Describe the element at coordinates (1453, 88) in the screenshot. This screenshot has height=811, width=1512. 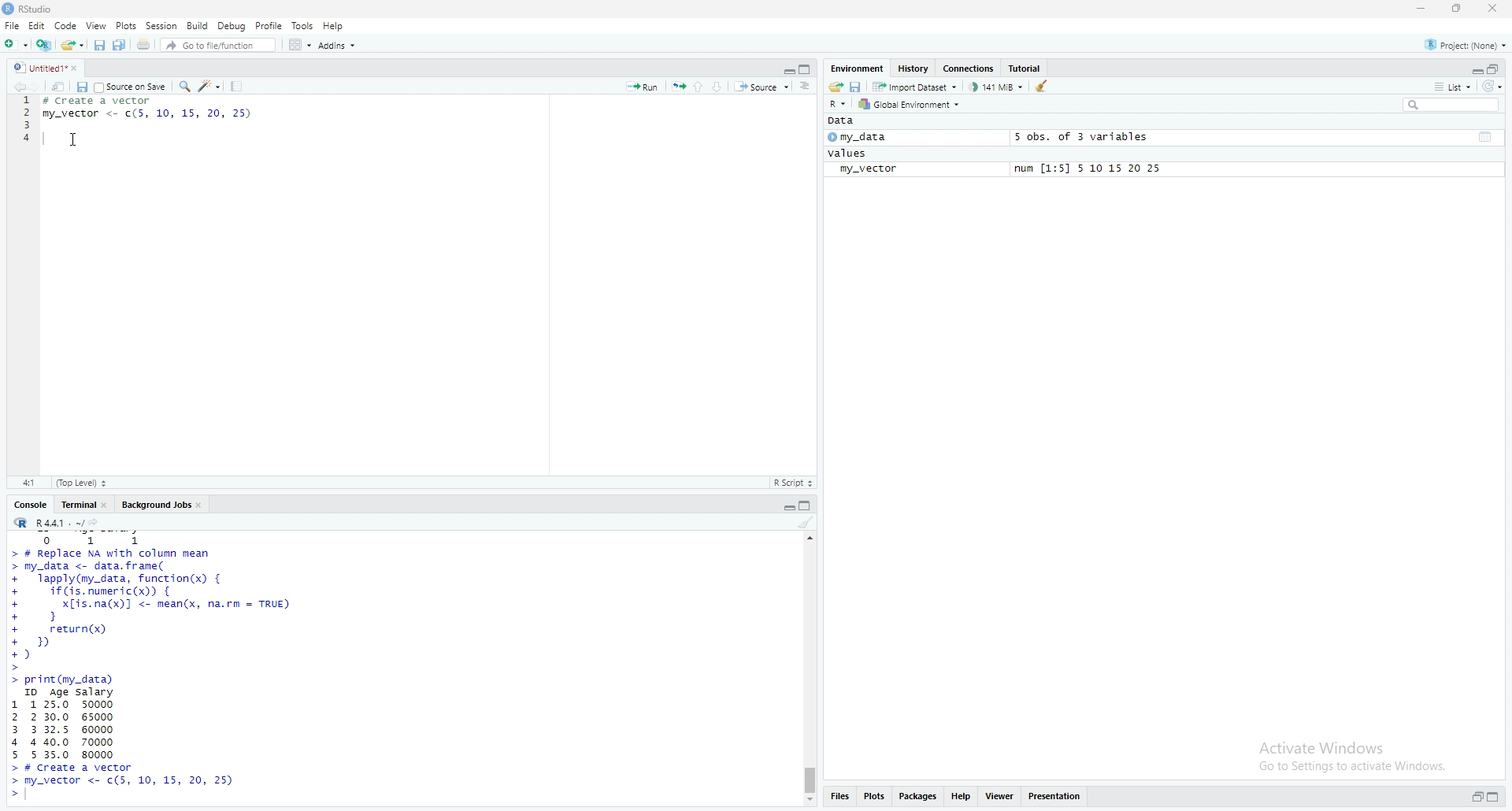
I see `list` at that location.